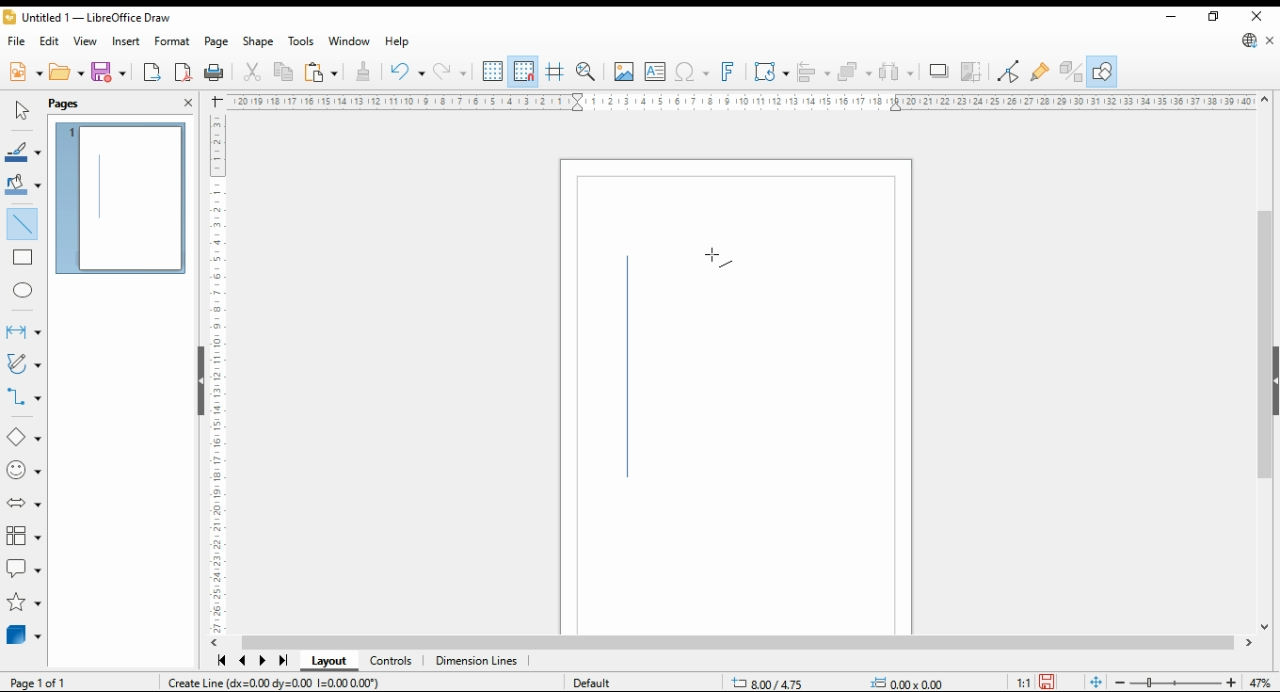 The image size is (1280, 692). I want to click on show grids, so click(492, 72).